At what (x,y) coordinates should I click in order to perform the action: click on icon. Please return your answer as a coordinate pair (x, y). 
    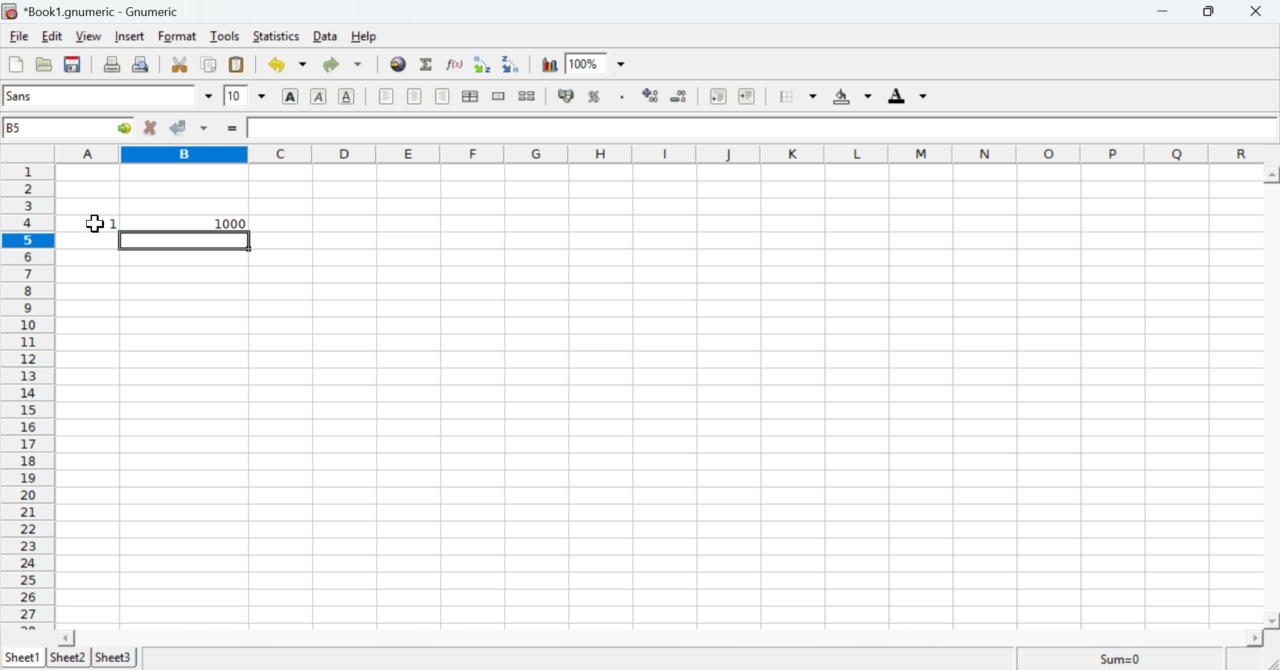
    Looking at the image, I should click on (10, 11).